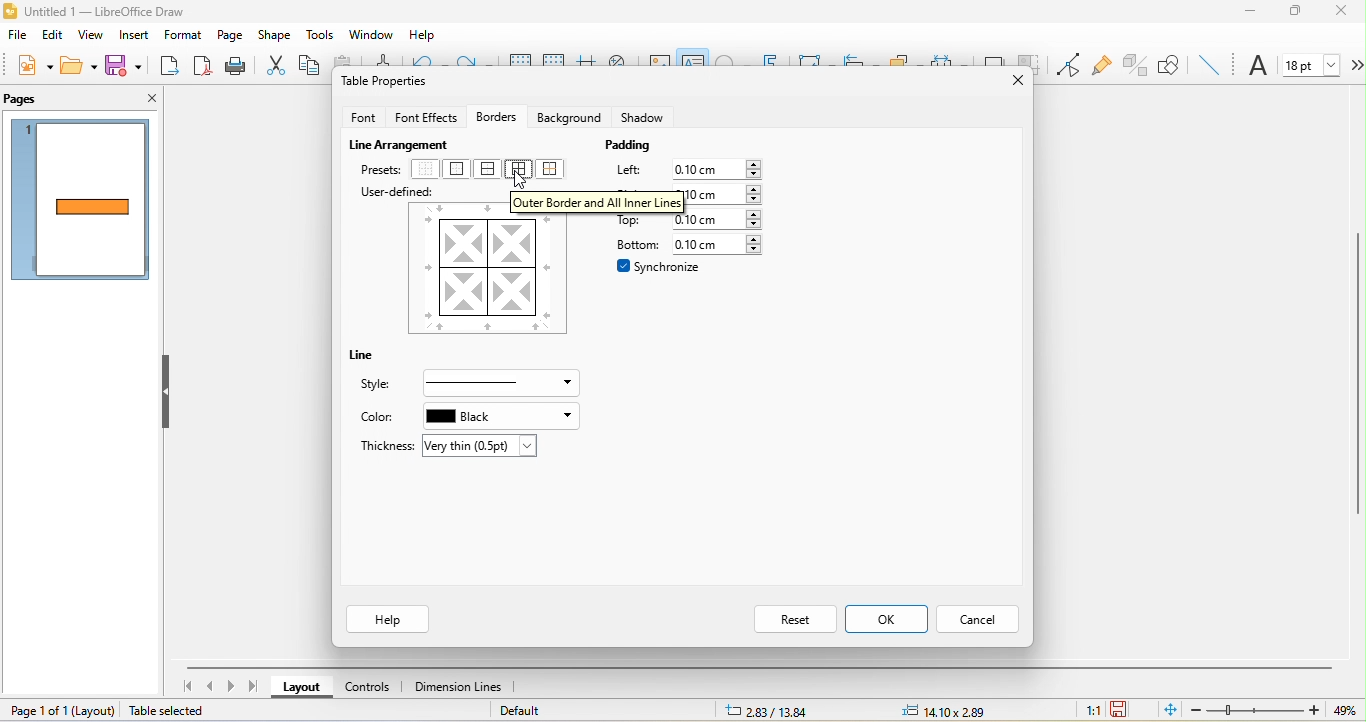 This screenshot has height=722, width=1366. Describe the element at coordinates (212, 688) in the screenshot. I see `previous page` at that location.